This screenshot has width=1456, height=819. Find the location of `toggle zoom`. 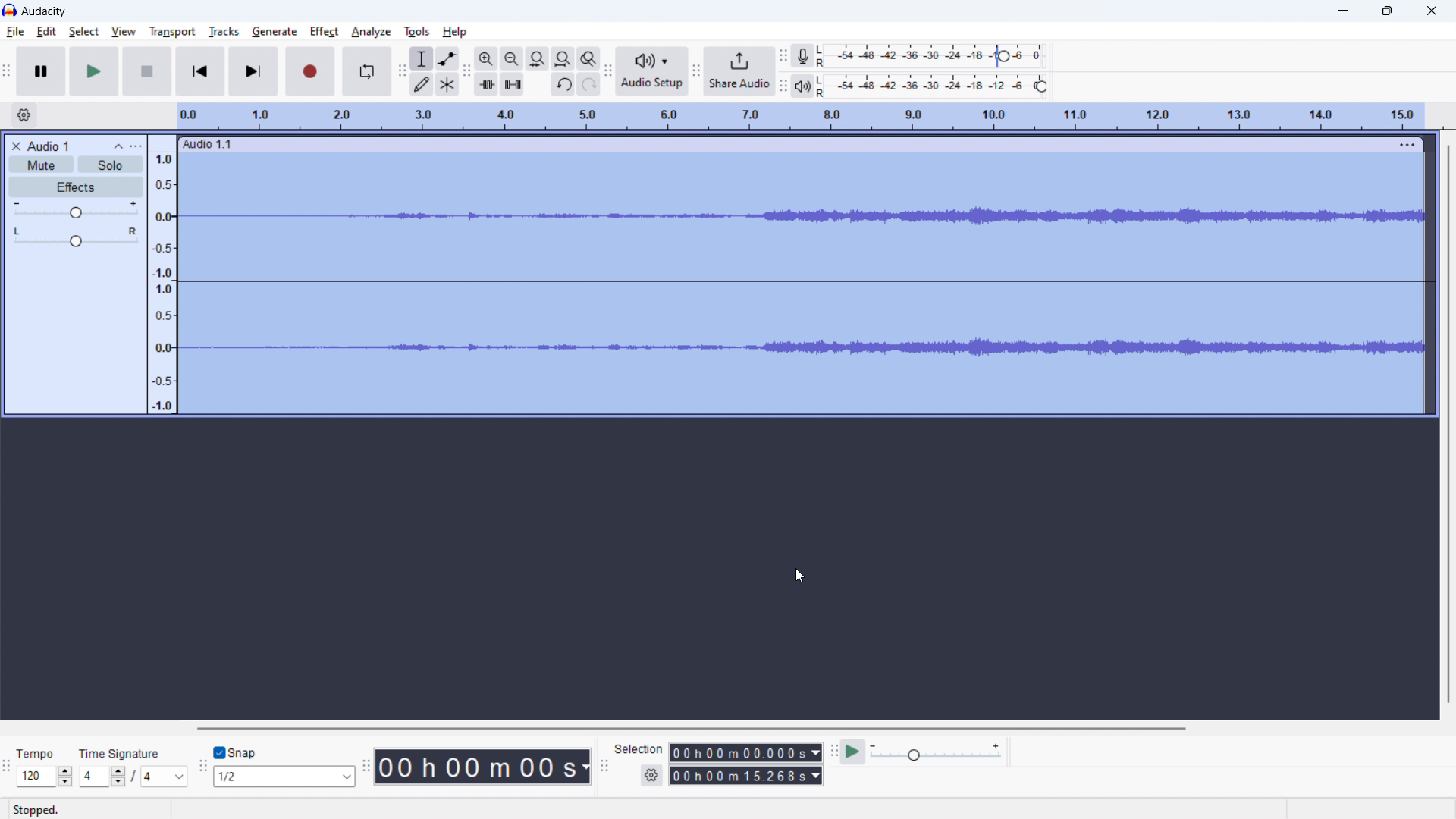

toggle zoom is located at coordinates (588, 58).